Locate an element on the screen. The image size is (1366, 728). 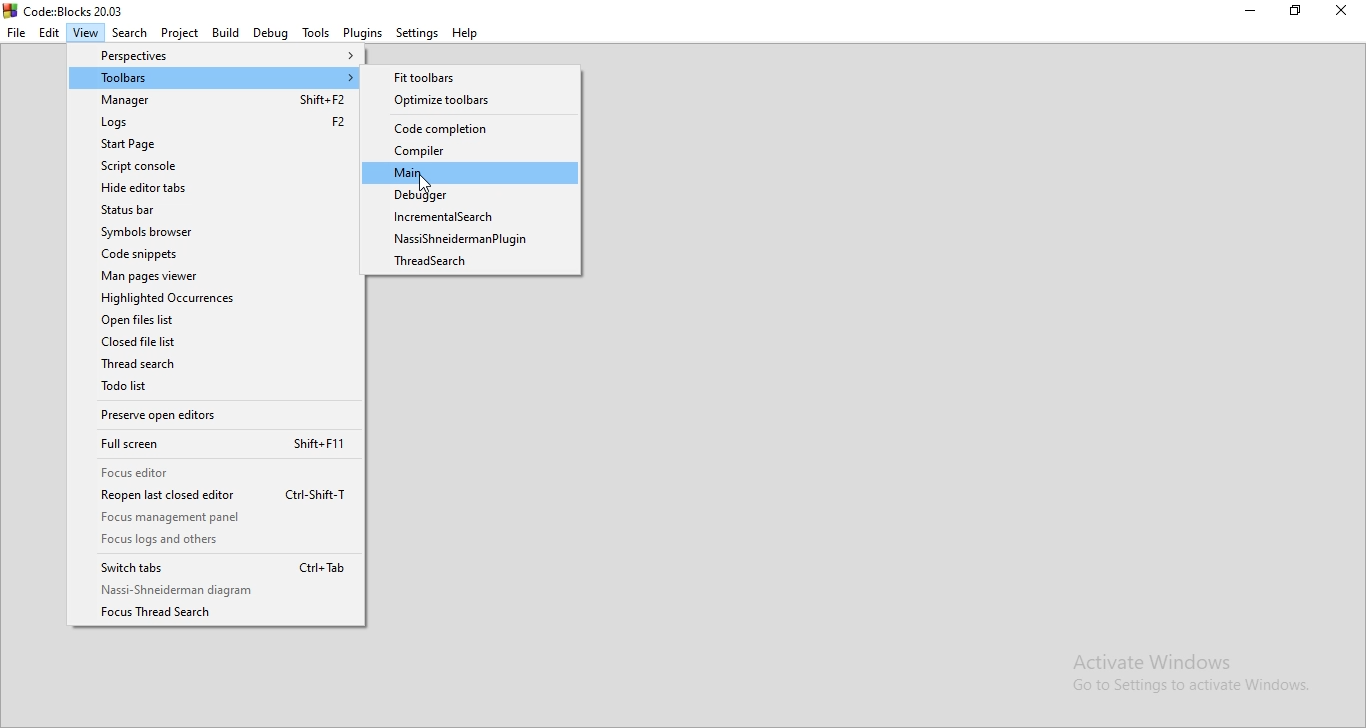
ThreadSearch is located at coordinates (473, 263).